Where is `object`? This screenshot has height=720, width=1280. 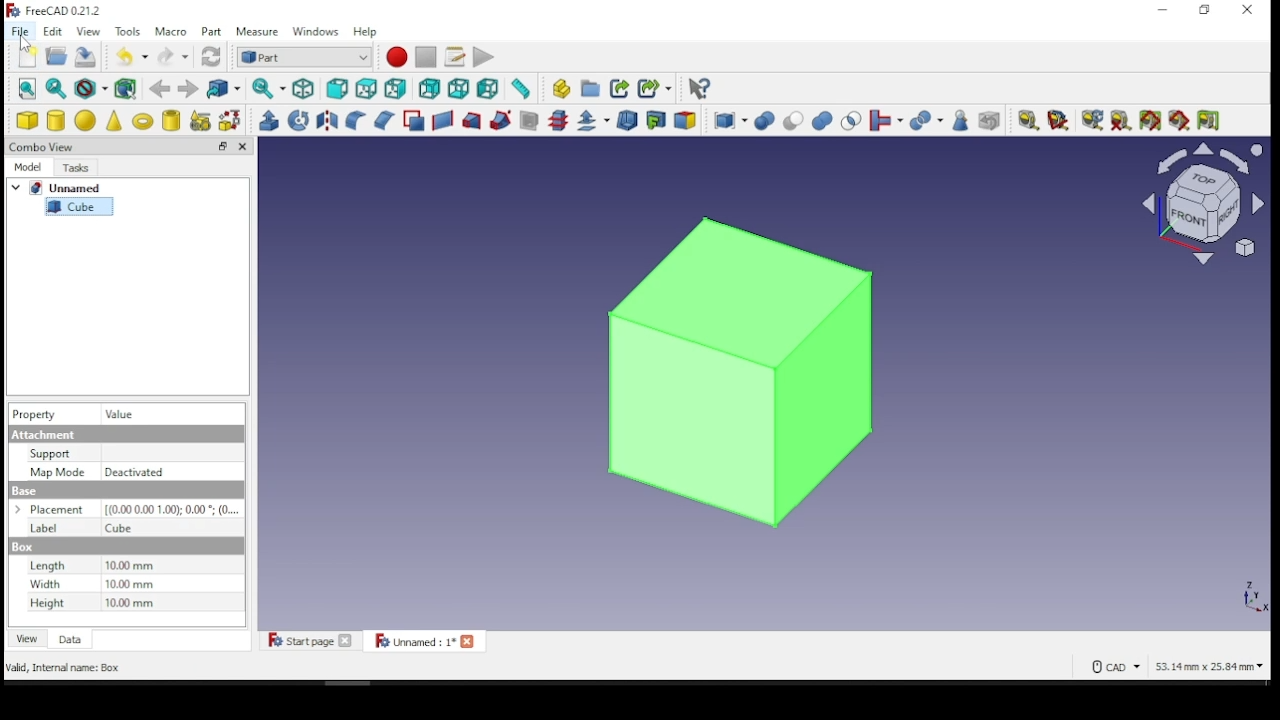 object is located at coordinates (740, 367).